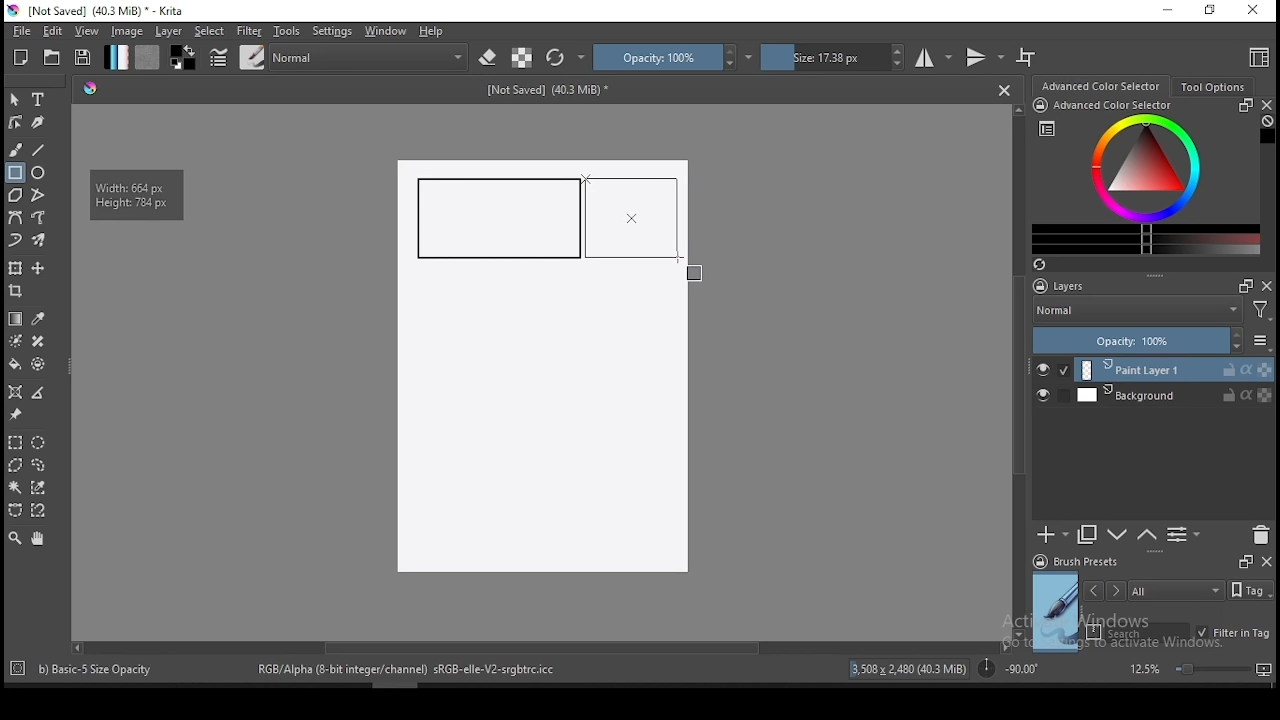 This screenshot has height=720, width=1280. What do you see at coordinates (16, 489) in the screenshot?
I see `contiguous selection tool` at bounding box center [16, 489].